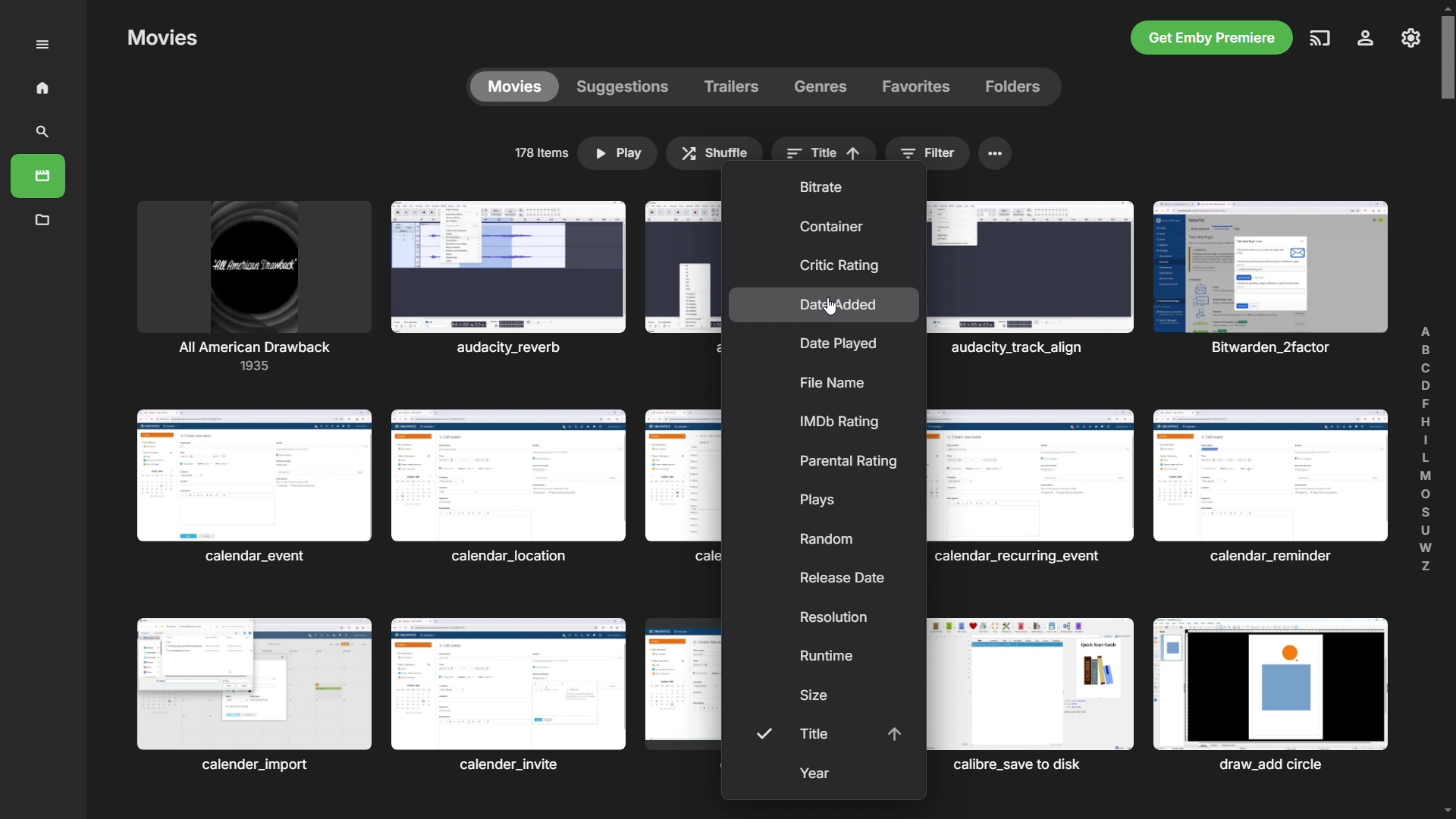 This screenshot has height=819, width=1456. Describe the element at coordinates (834, 308) in the screenshot. I see `cursor` at that location.